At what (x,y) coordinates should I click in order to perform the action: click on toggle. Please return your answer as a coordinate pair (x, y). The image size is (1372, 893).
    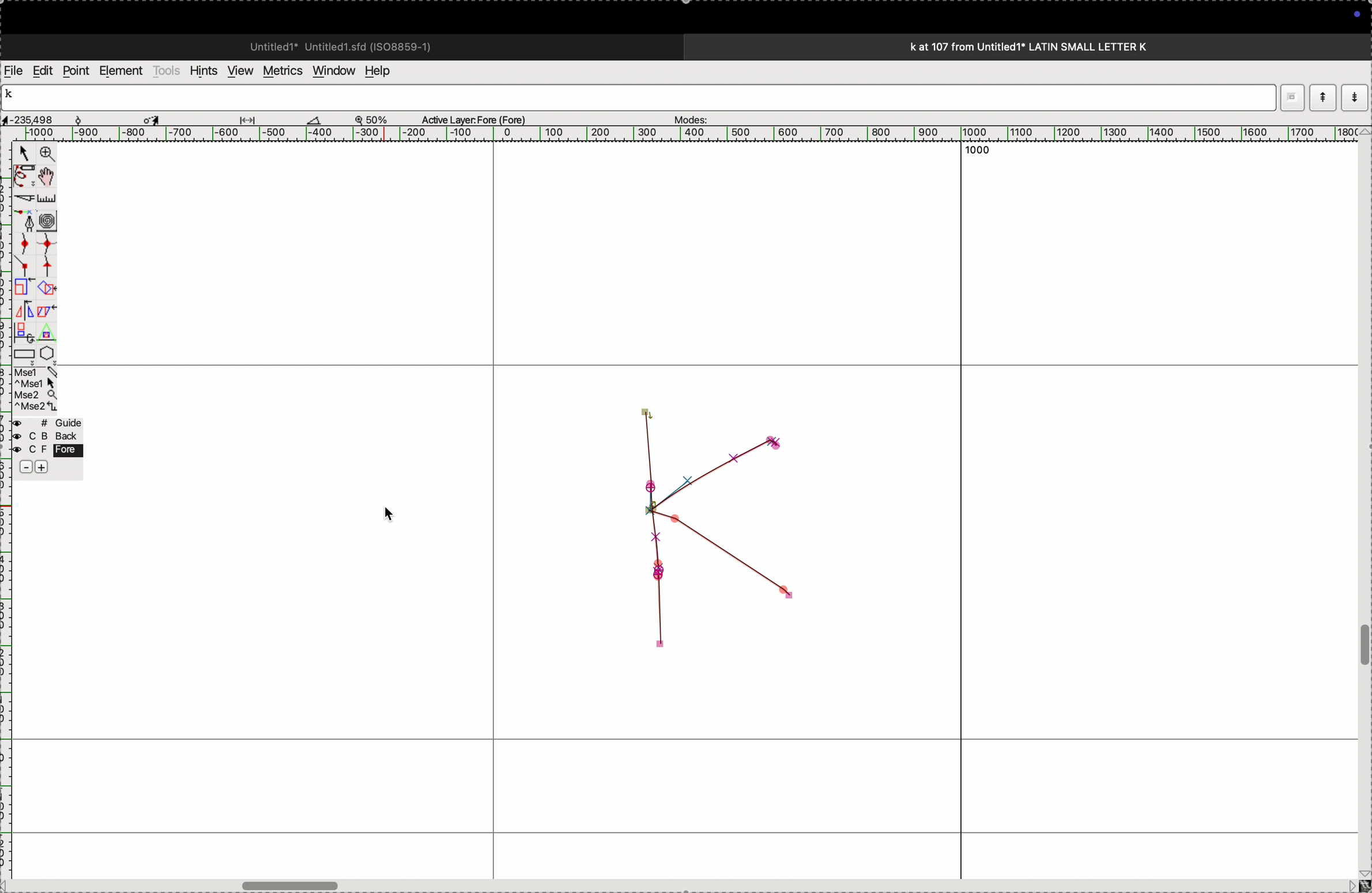
    Looking at the image, I should click on (1363, 646).